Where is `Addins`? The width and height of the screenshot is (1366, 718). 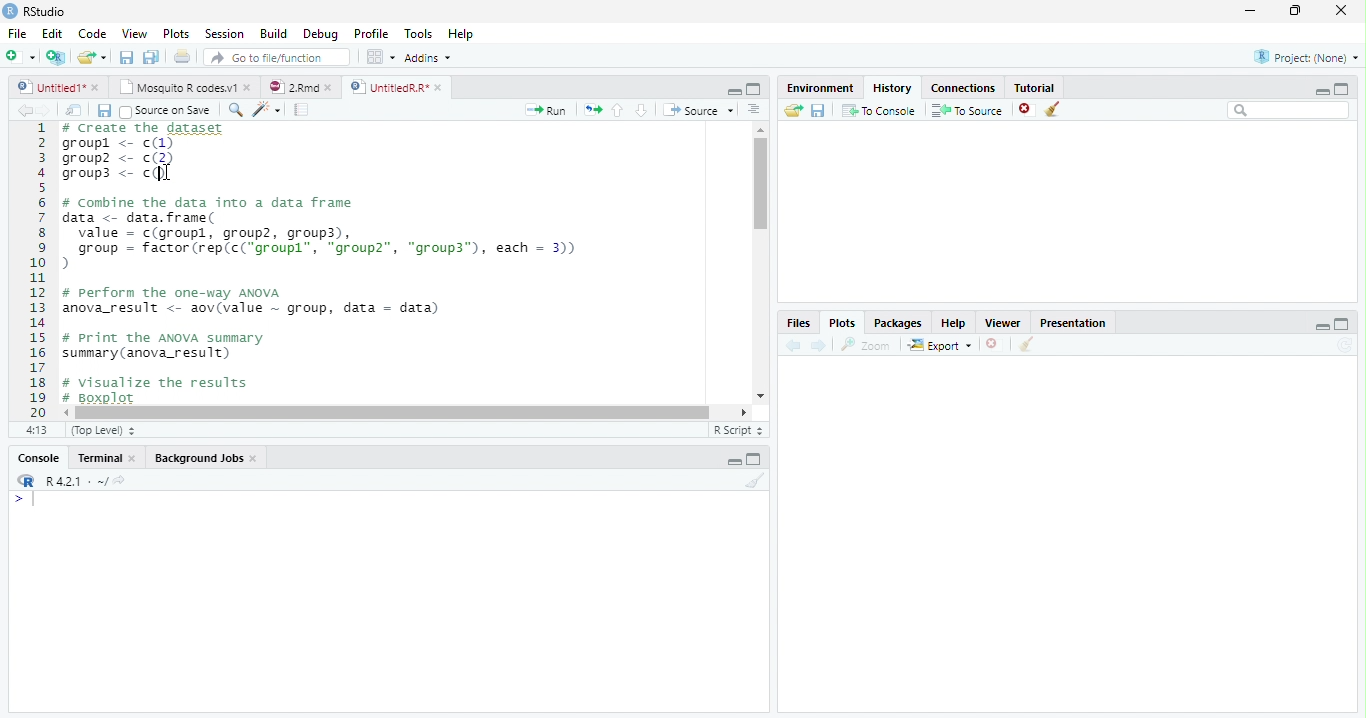 Addins is located at coordinates (429, 59).